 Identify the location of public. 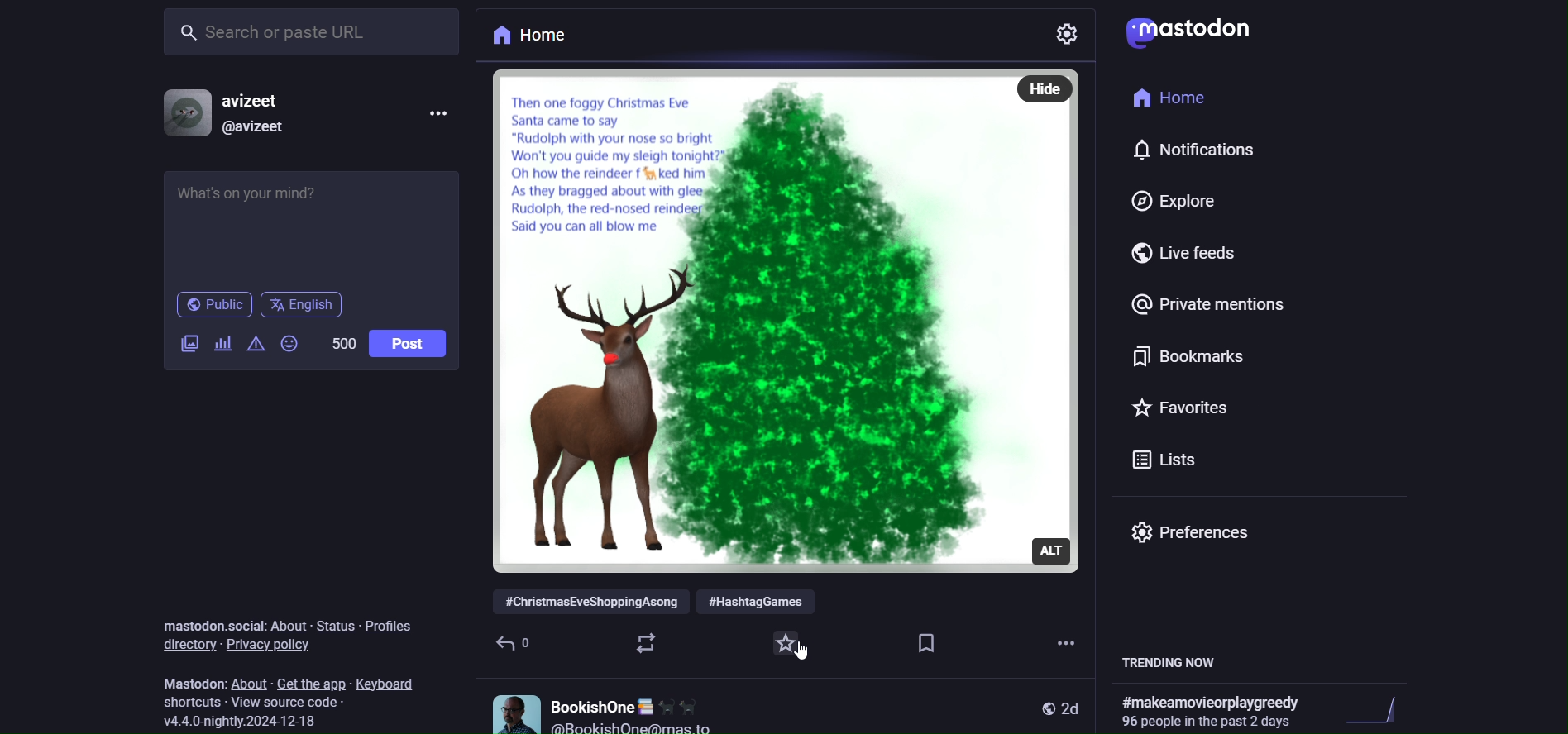
(210, 305).